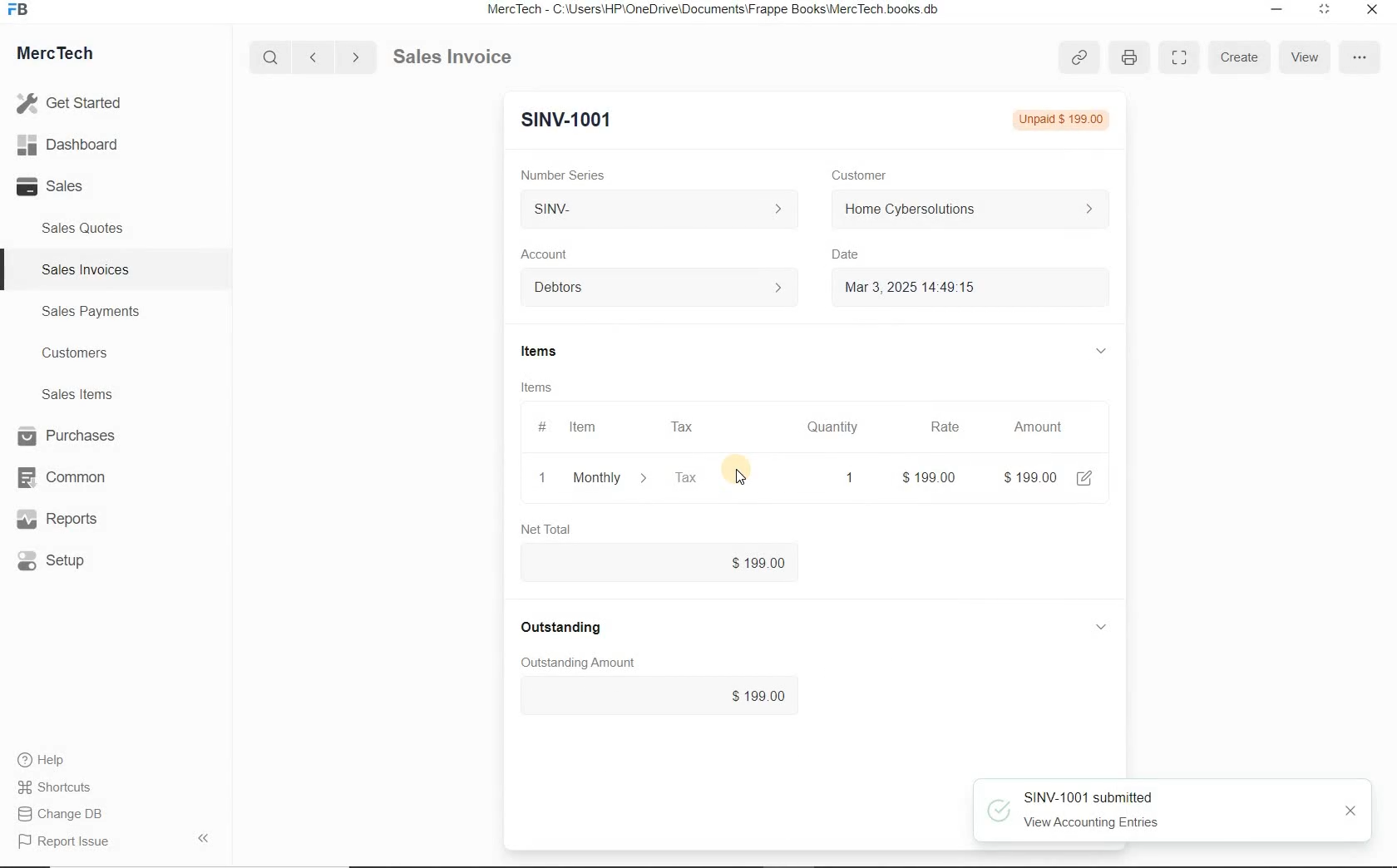 Image resolution: width=1397 pixels, height=868 pixels. I want to click on Outstanding amount, so click(577, 662).